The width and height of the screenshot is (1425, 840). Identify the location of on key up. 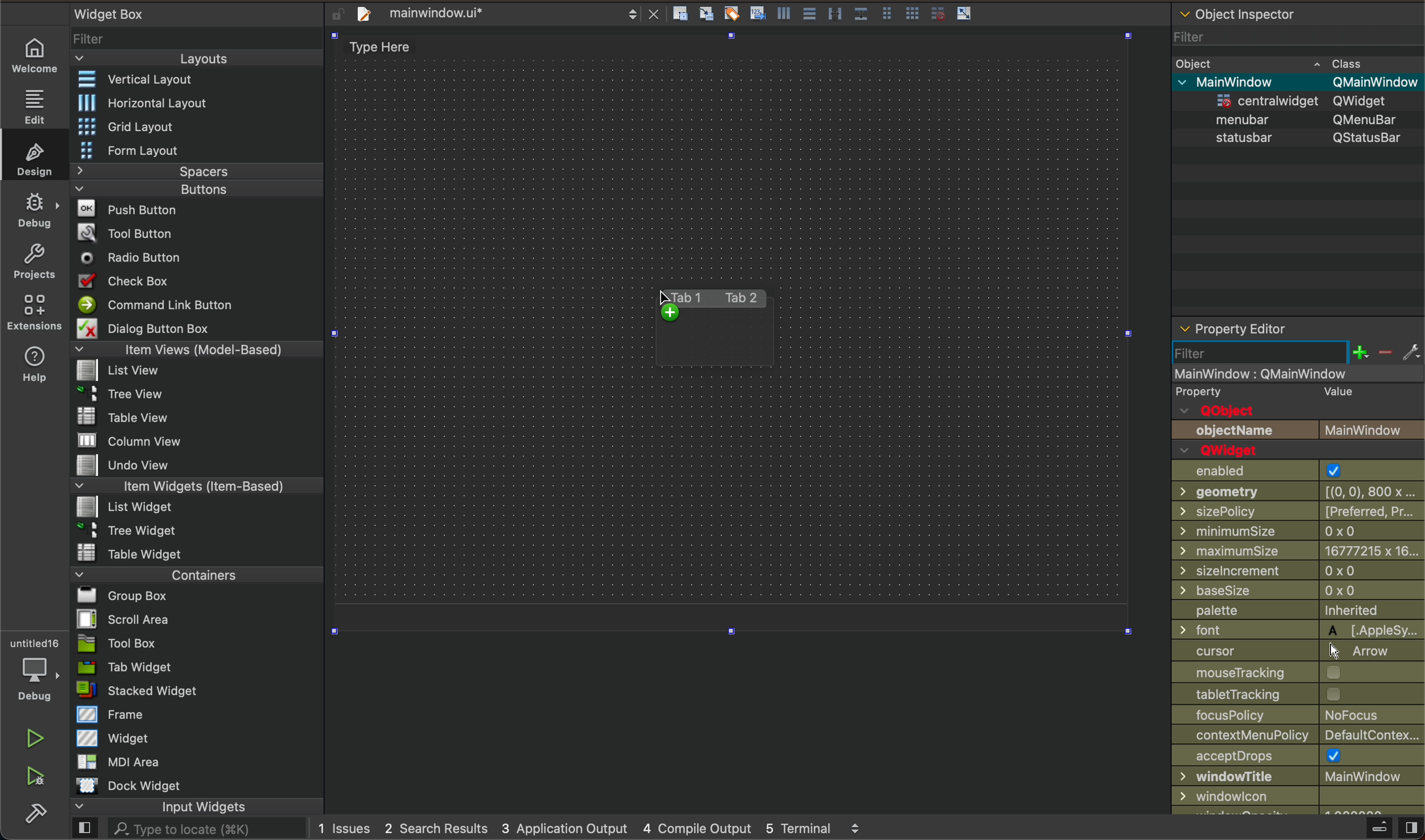
(691, 330).